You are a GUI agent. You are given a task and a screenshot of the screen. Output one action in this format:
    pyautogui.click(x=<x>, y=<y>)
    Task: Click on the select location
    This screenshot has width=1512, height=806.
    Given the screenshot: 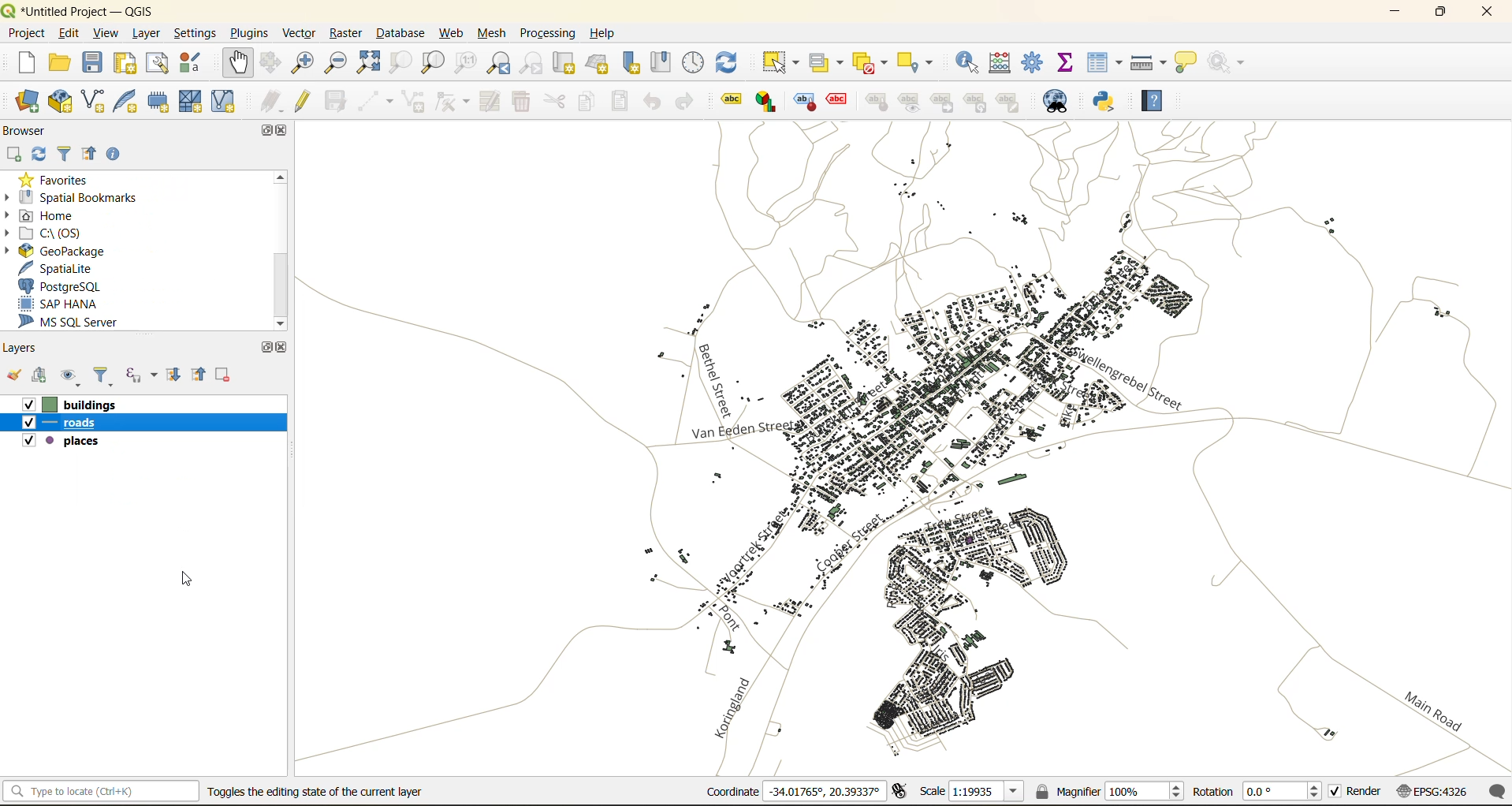 What is the action you would take?
    pyautogui.click(x=914, y=63)
    